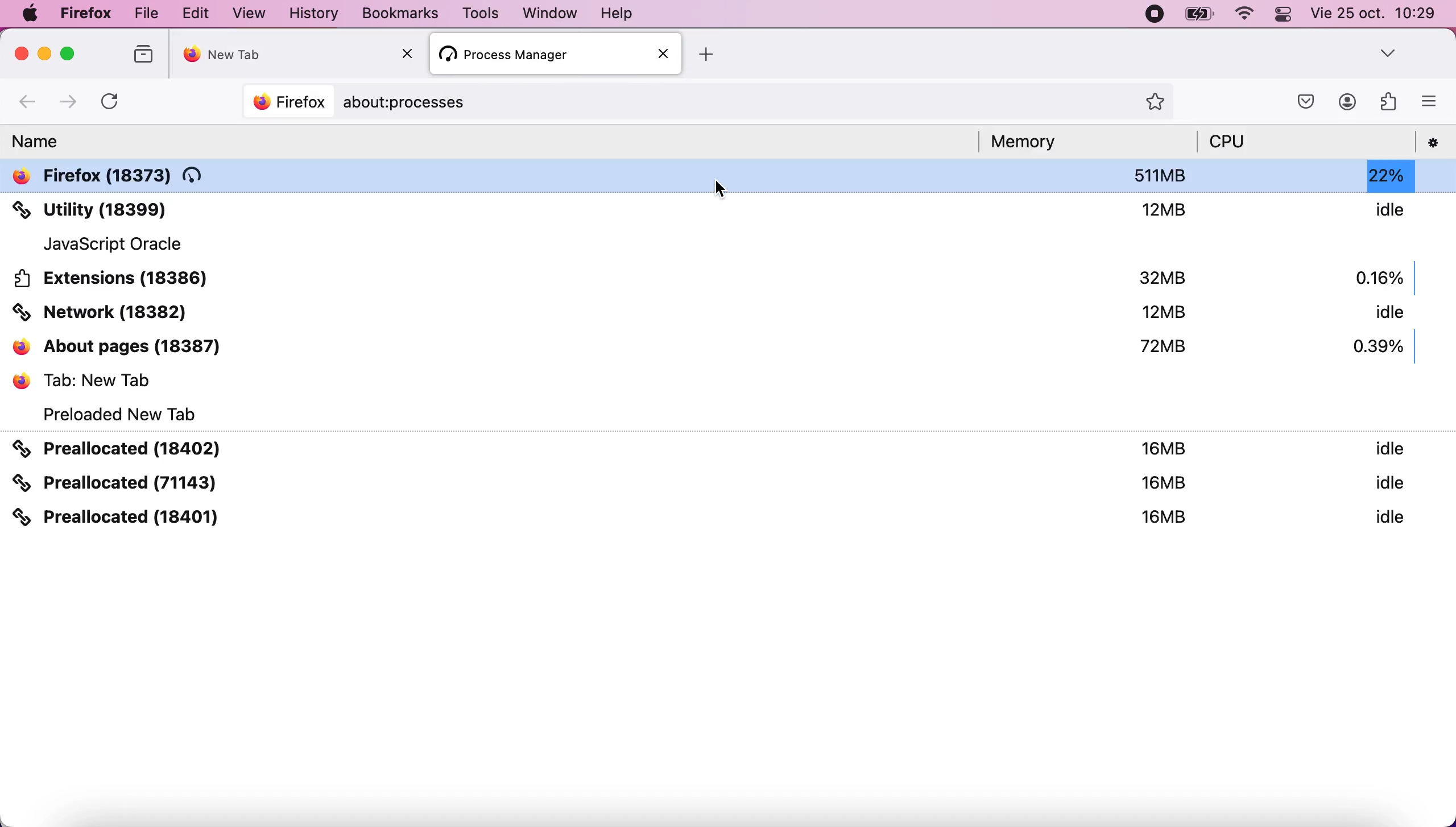 The width and height of the screenshot is (1456, 827). I want to click on Close, so click(666, 55).